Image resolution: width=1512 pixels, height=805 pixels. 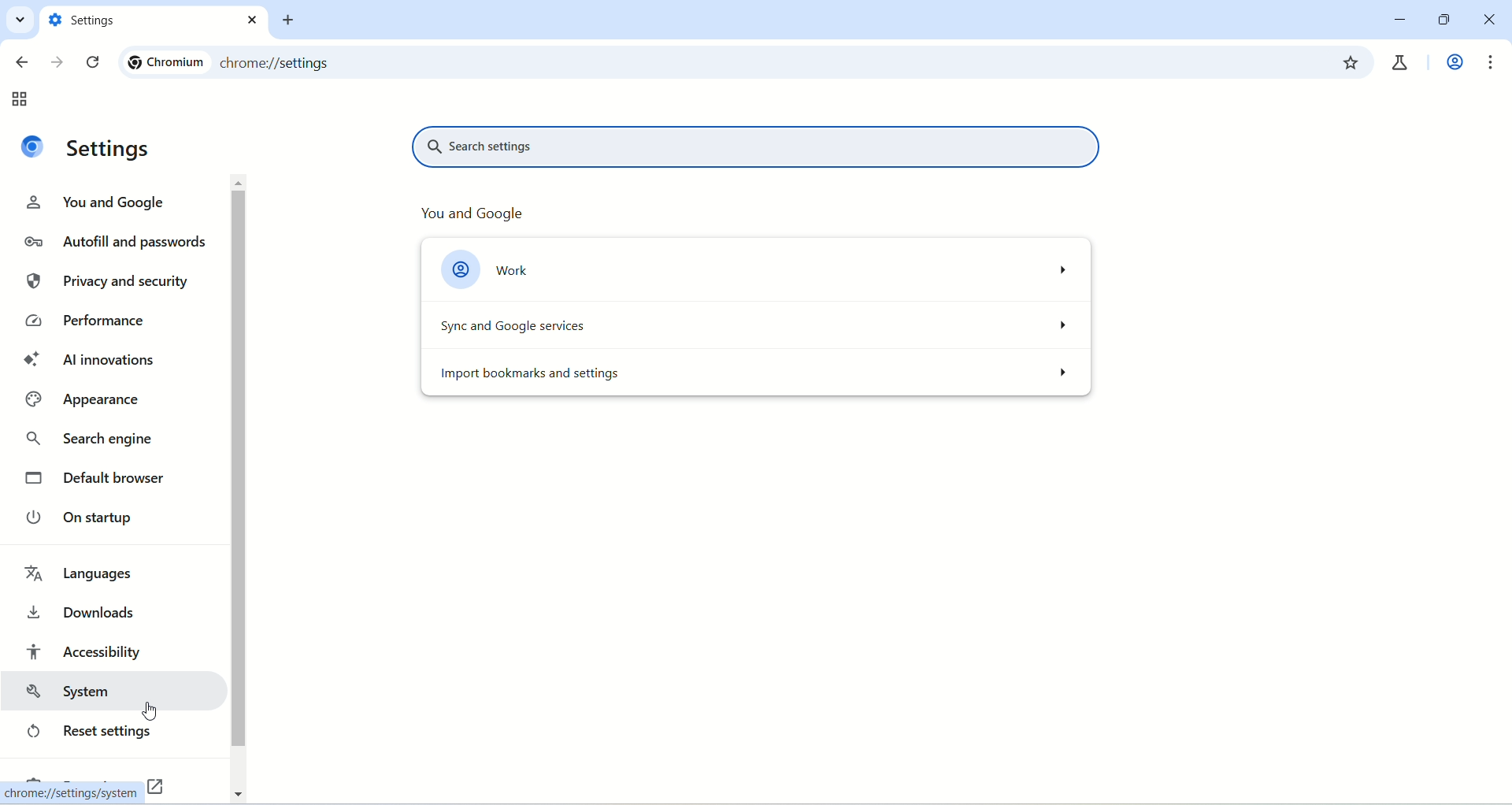 I want to click on close tab, so click(x=253, y=20).